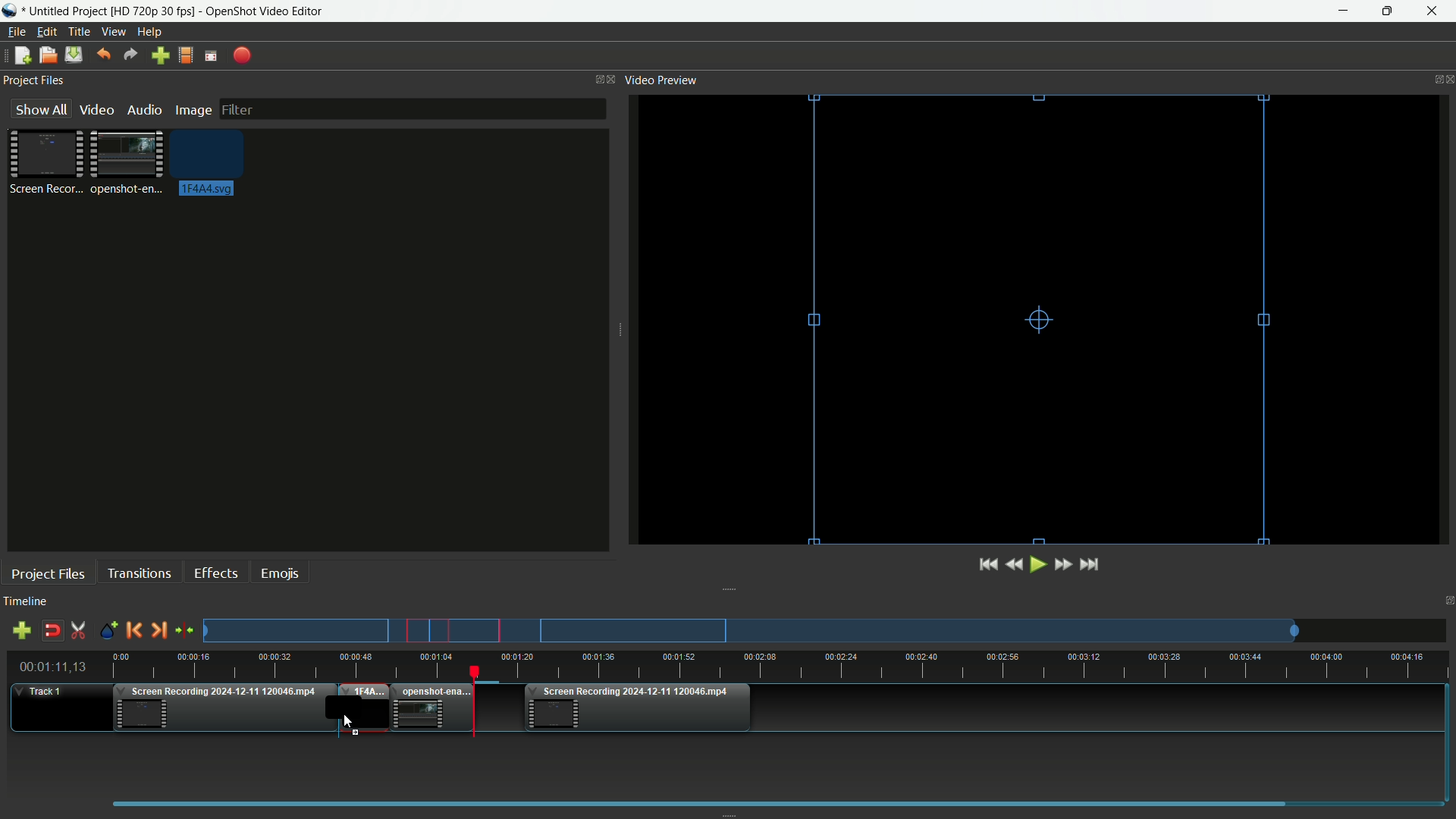 This screenshot has width=1456, height=819. Describe the element at coordinates (162, 57) in the screenshot. I see `Import` at that location.